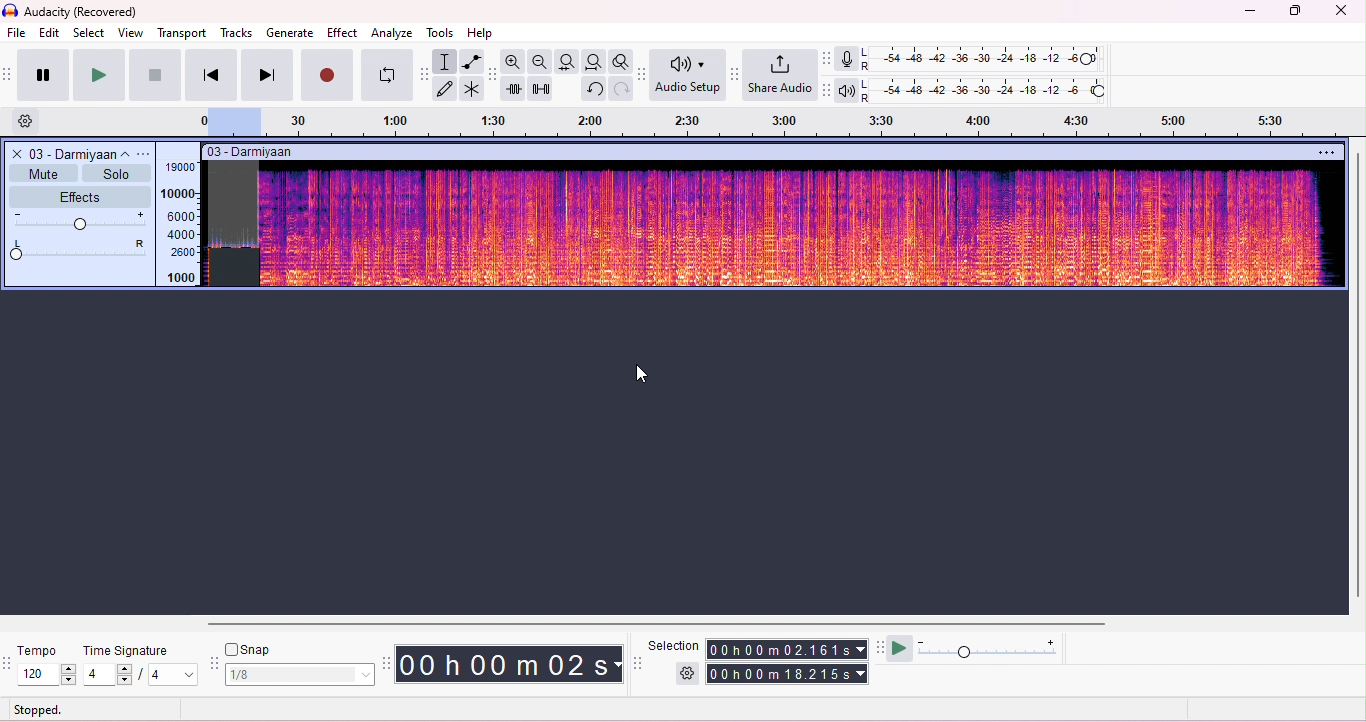  Describe the element at coordinates (116, 173) in the screenshot. I see `solo` at that location.